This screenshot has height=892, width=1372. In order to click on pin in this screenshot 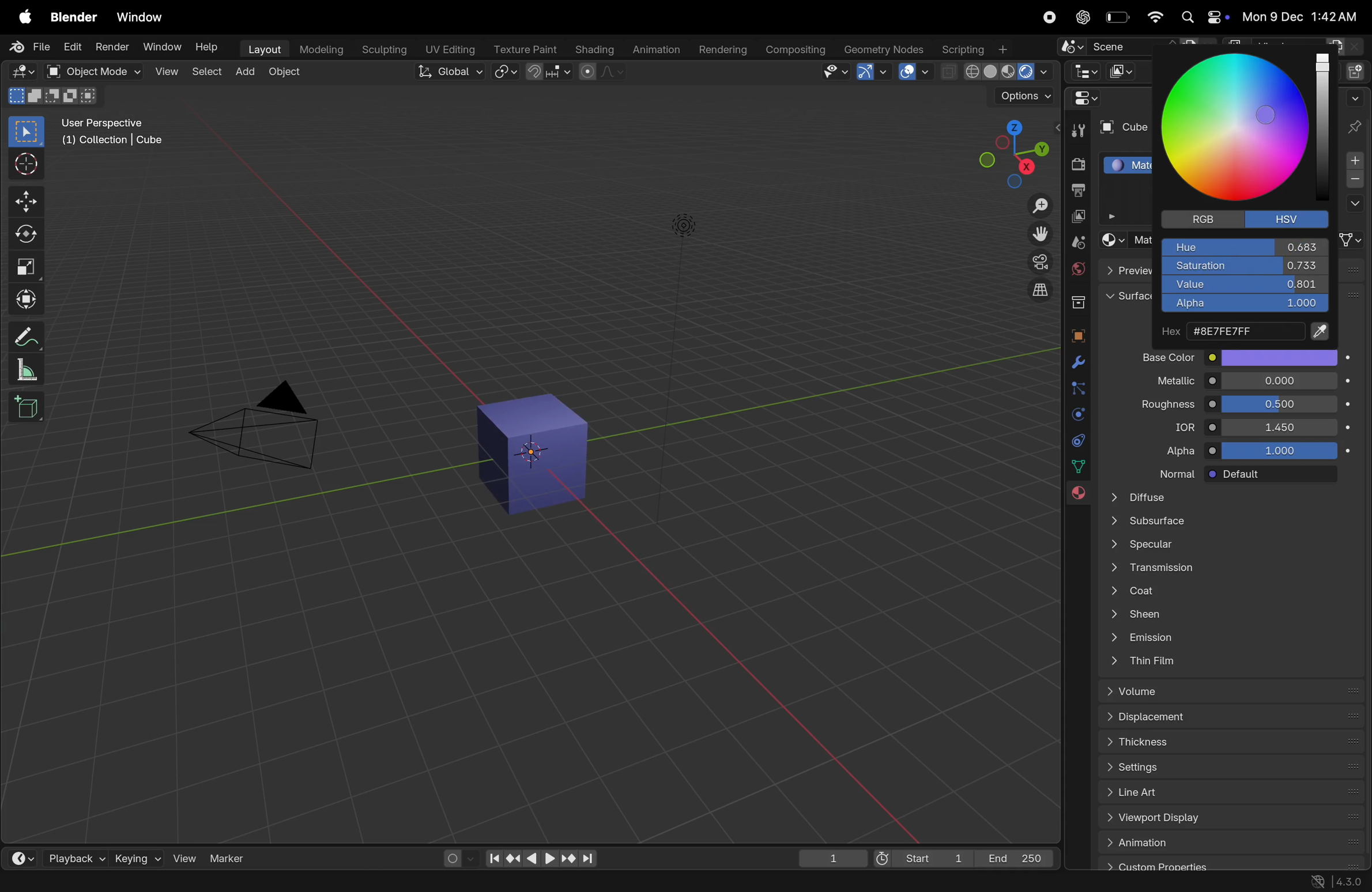, I will do `click(1356, 126)`.